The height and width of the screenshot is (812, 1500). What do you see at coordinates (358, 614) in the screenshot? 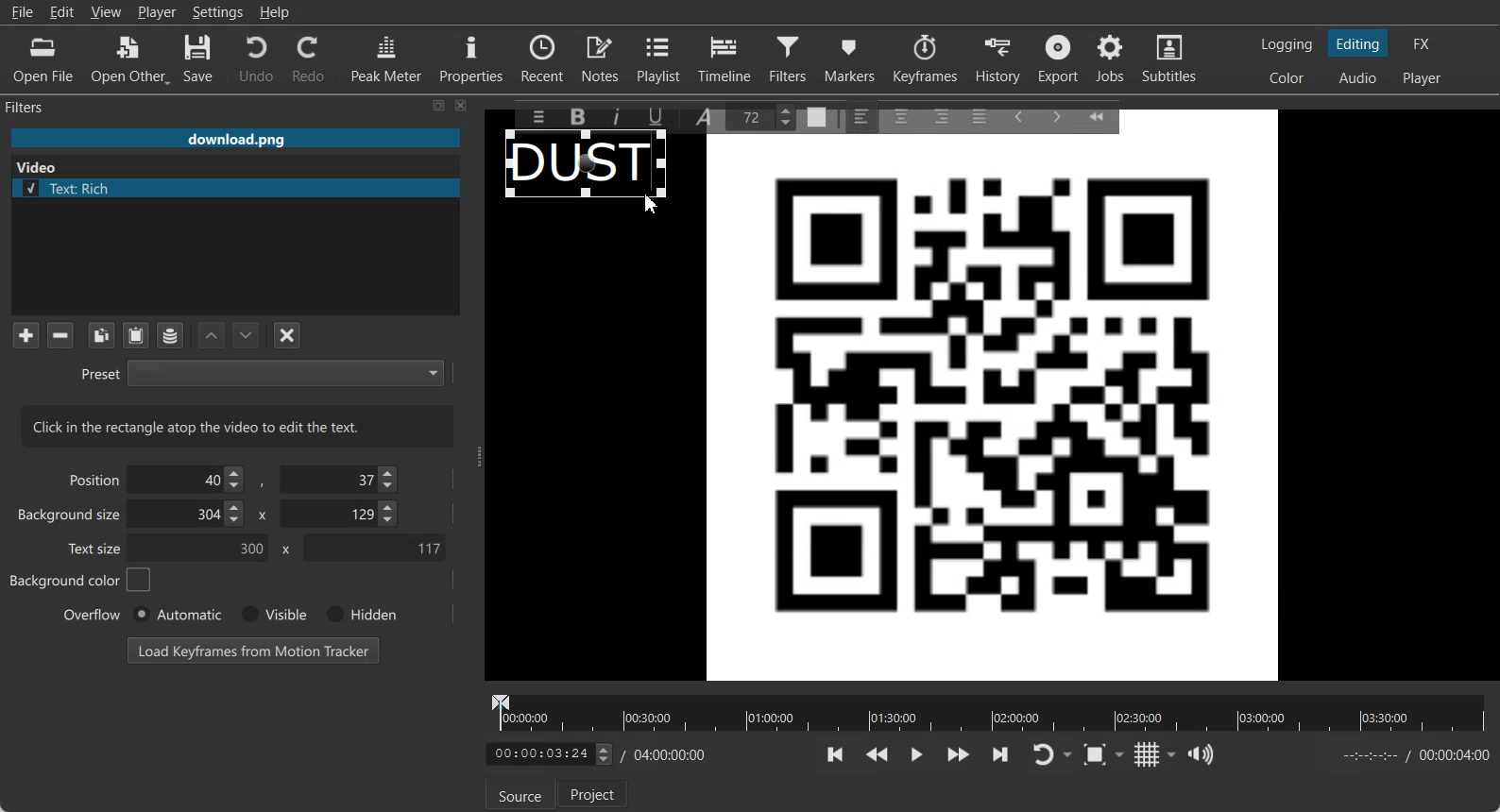
I see `Hidden` at bounding box center [358, 614].